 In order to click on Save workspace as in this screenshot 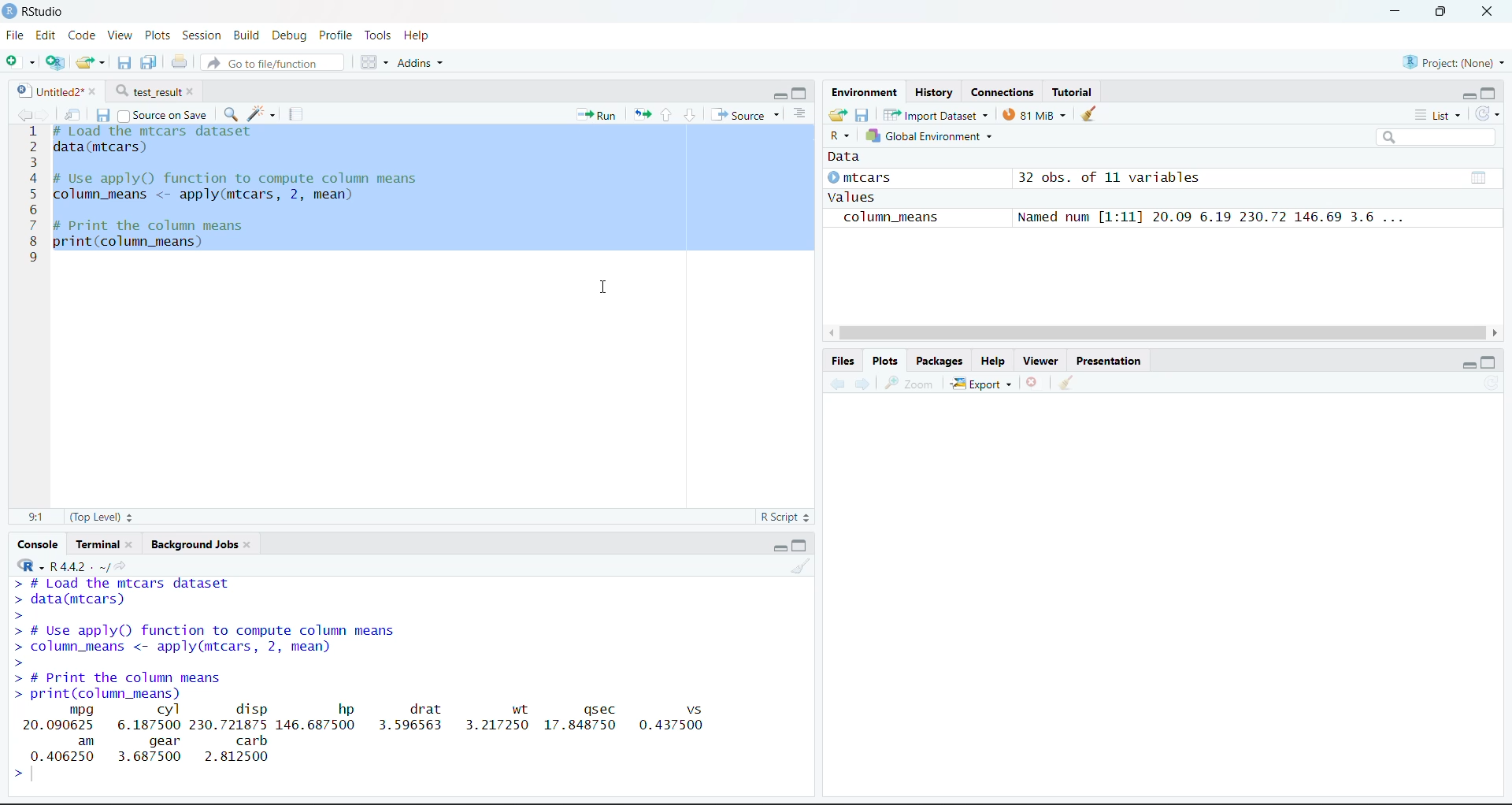, I will do `click(863, 113)`.